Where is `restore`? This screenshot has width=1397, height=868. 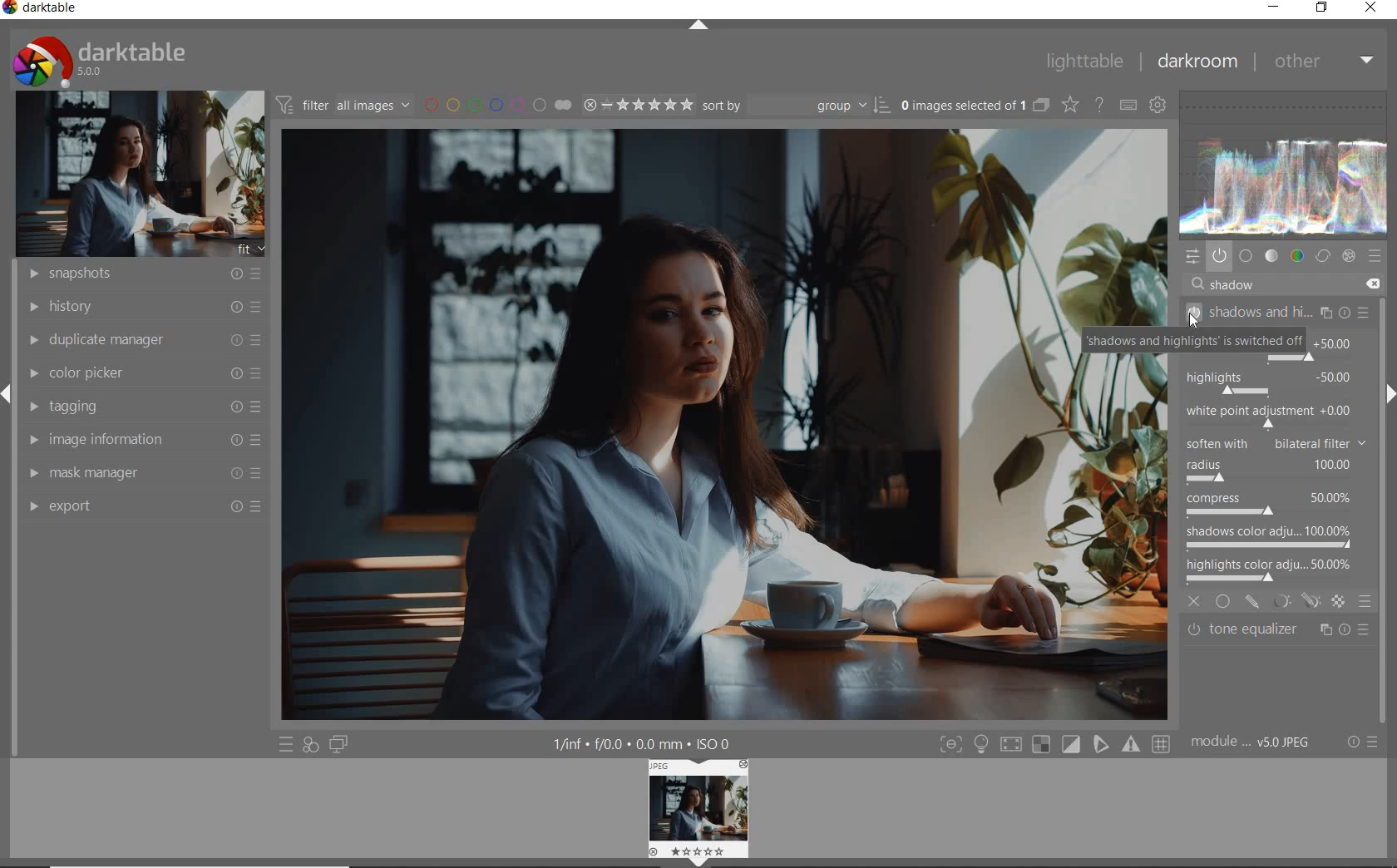
restore is located at coordinates (1324, 8).